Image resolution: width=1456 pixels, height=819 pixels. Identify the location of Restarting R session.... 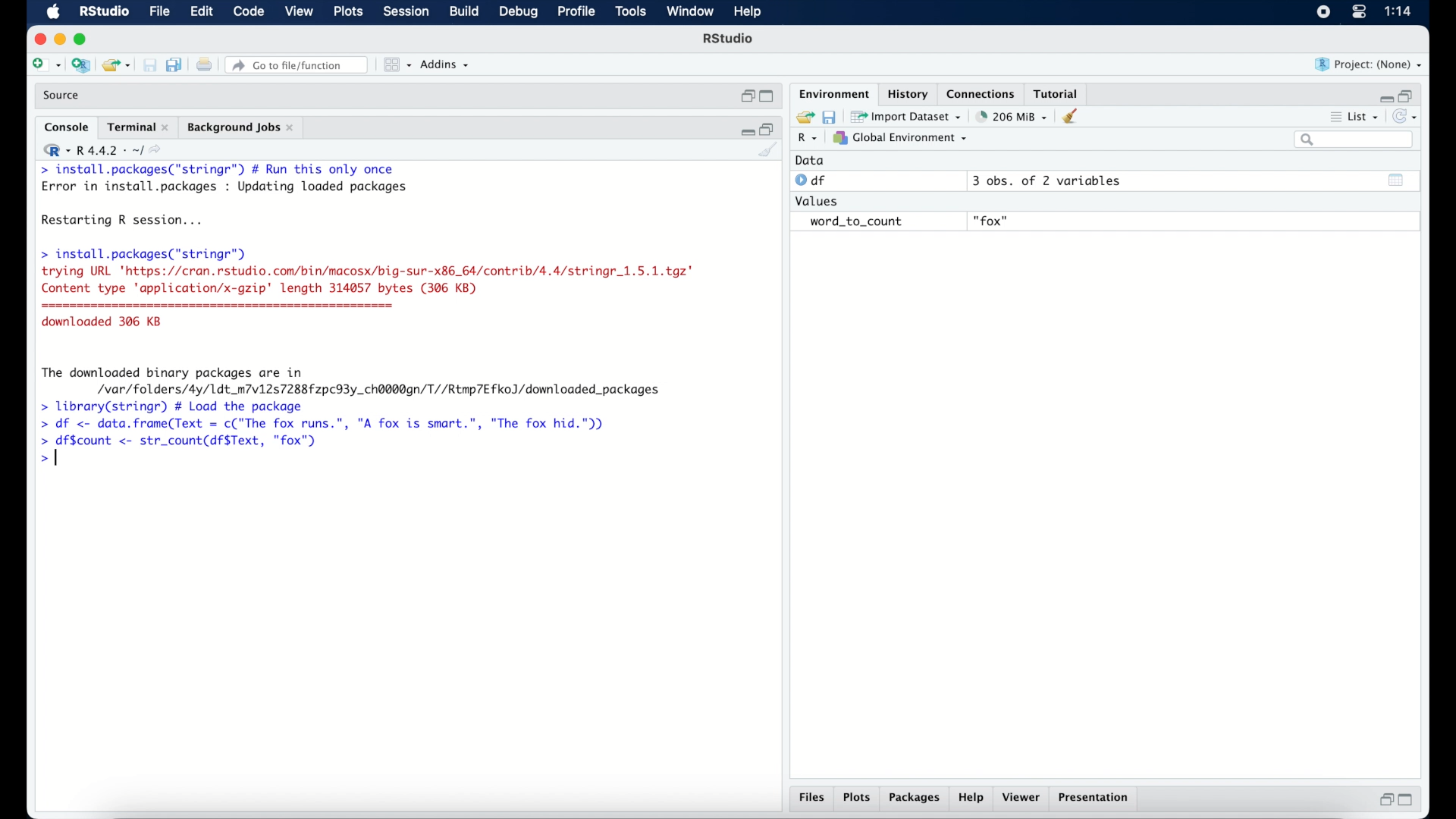
(126, 221).